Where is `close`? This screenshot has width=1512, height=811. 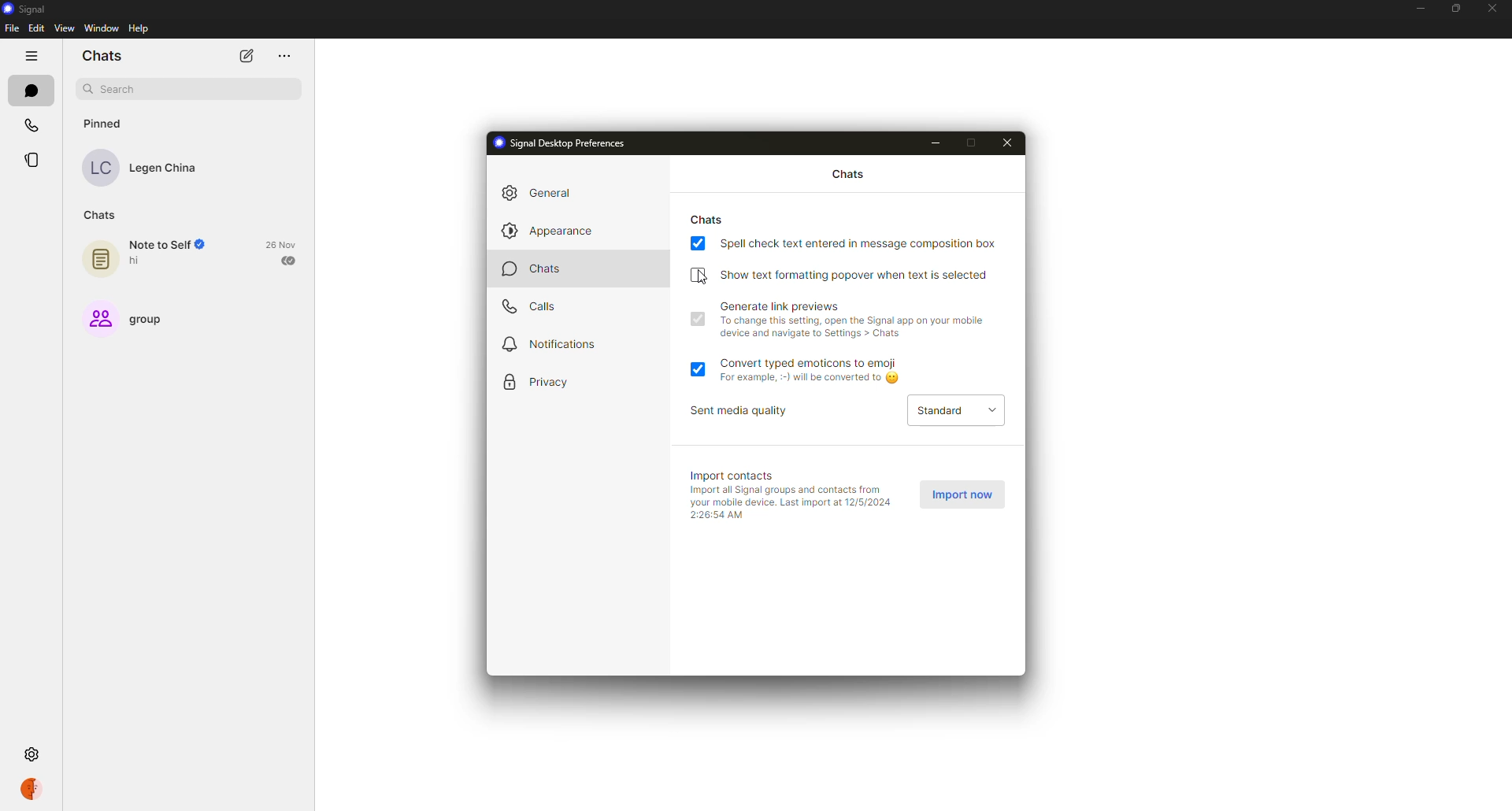 close is located at coordinates (1011, 142).